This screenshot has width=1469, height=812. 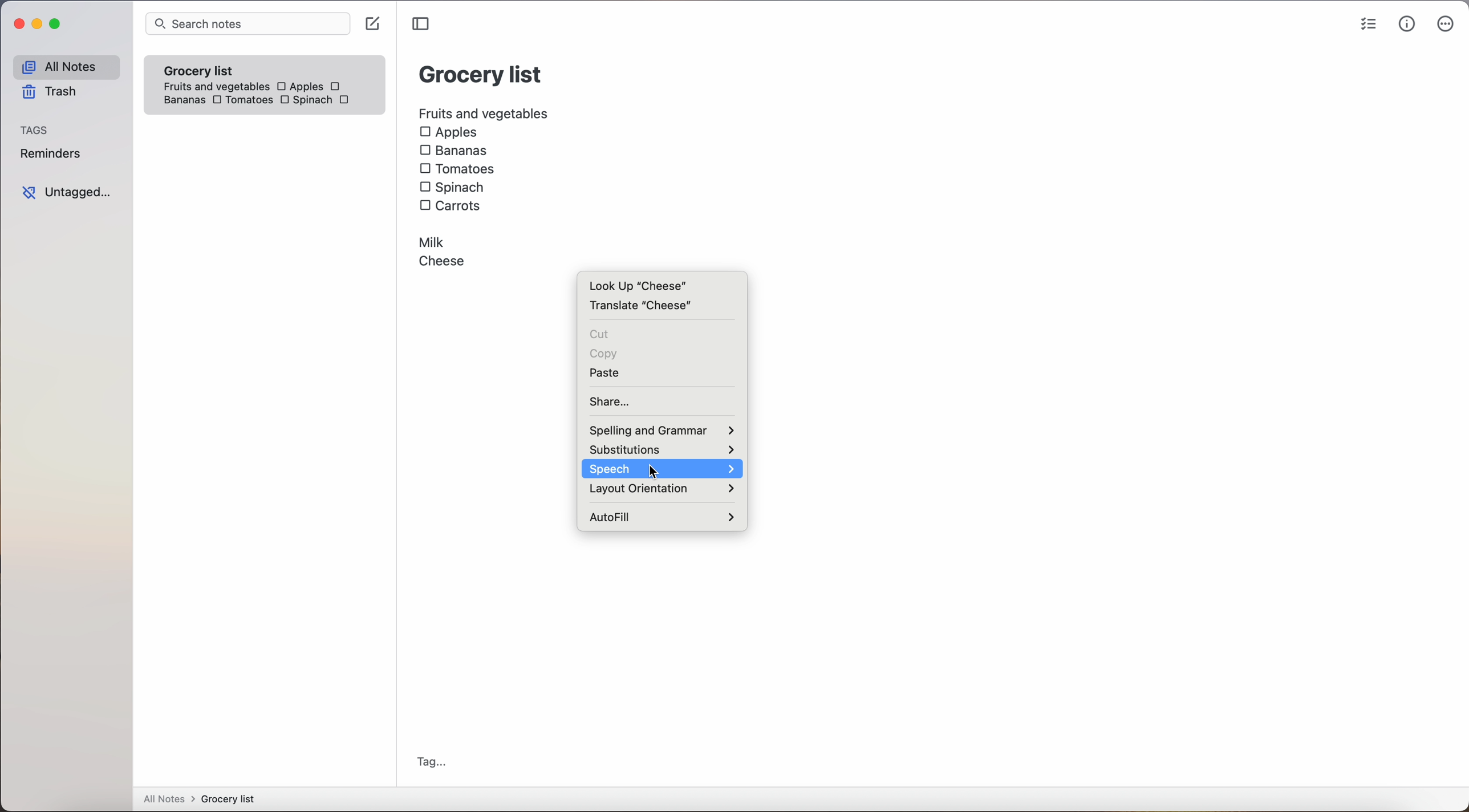 I want to click on Grocery List, so click(x=480, y=76).